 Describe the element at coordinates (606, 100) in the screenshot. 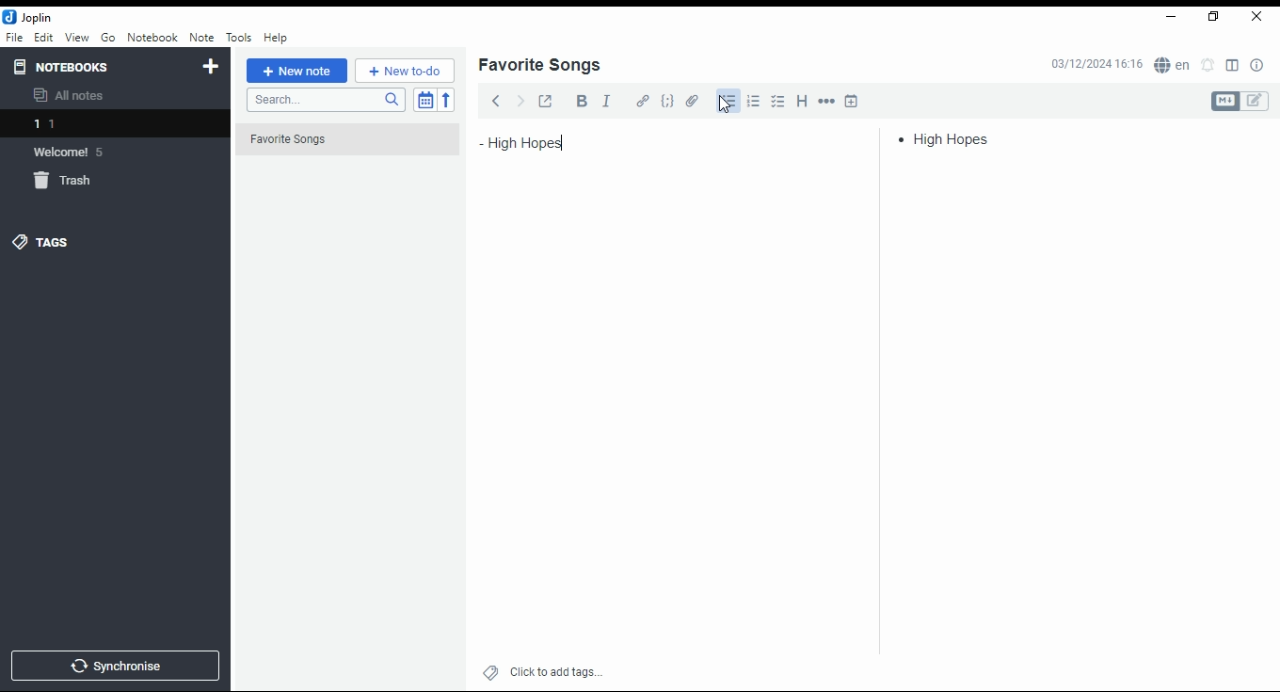

I see `italics` at that location.